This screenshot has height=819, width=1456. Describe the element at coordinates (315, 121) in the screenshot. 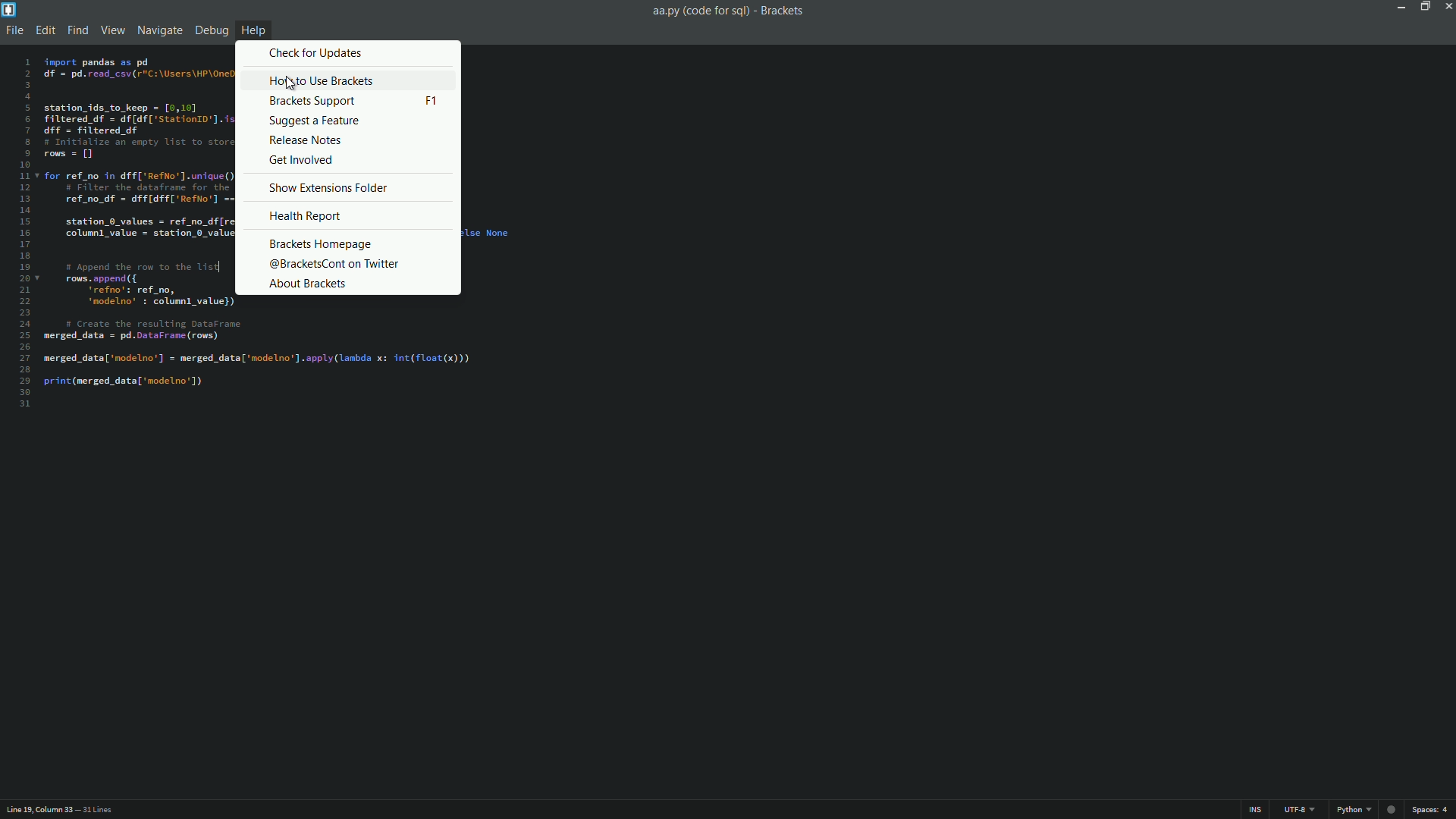

I see `suggest a feature` at that location.